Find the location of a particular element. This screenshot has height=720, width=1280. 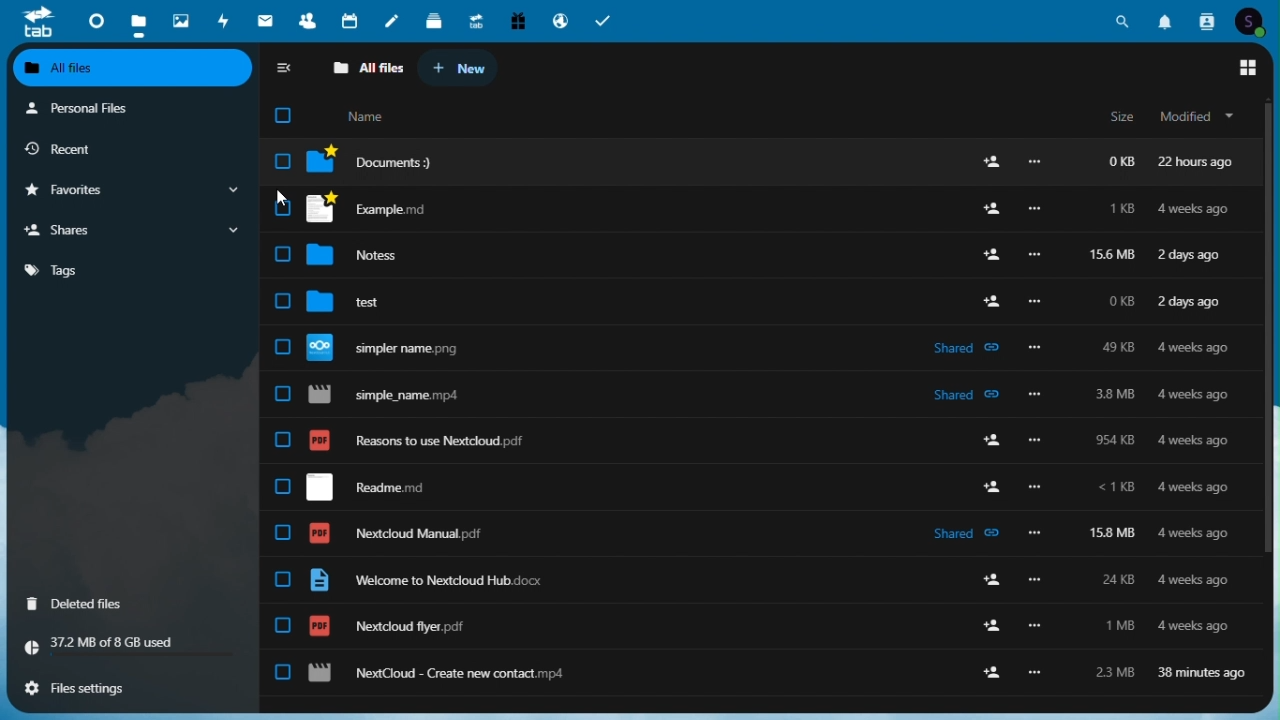

Upgrade is located at coordinates (476, 20).